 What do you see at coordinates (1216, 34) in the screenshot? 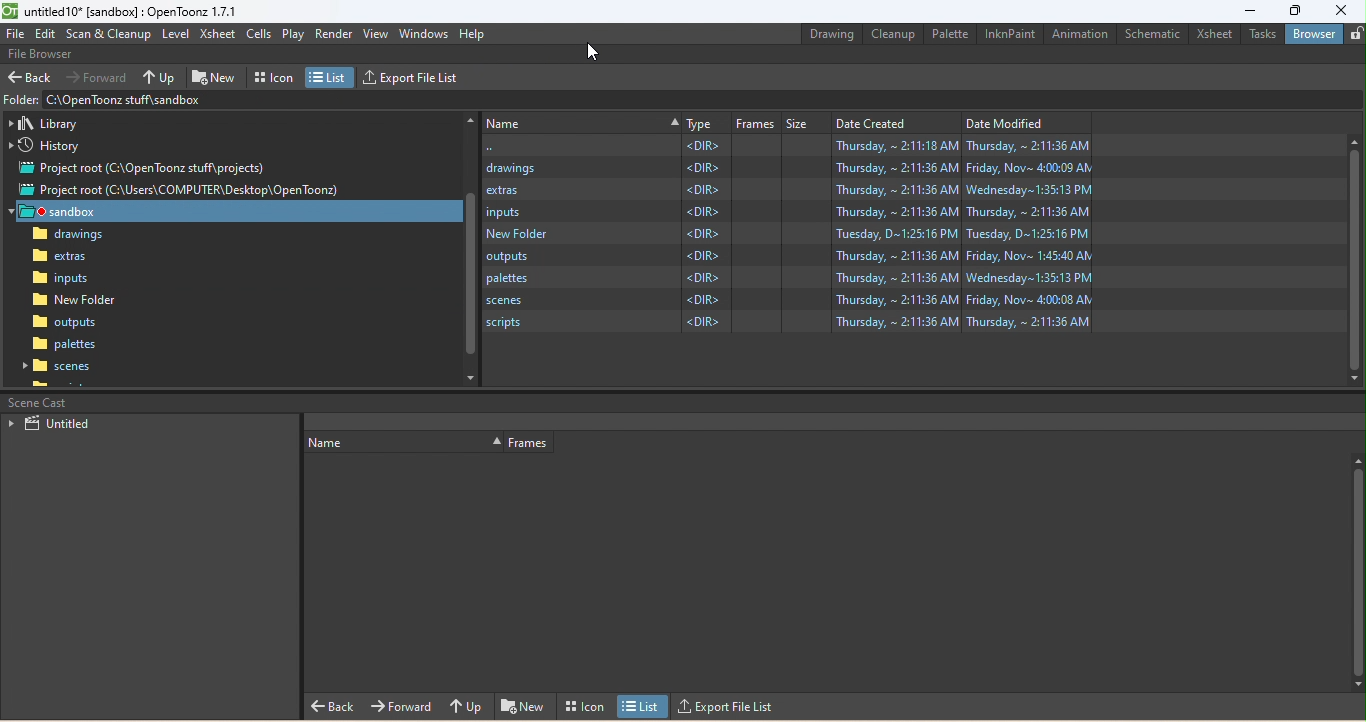
I see `Xsheet` at bounding box center [1216, 34].